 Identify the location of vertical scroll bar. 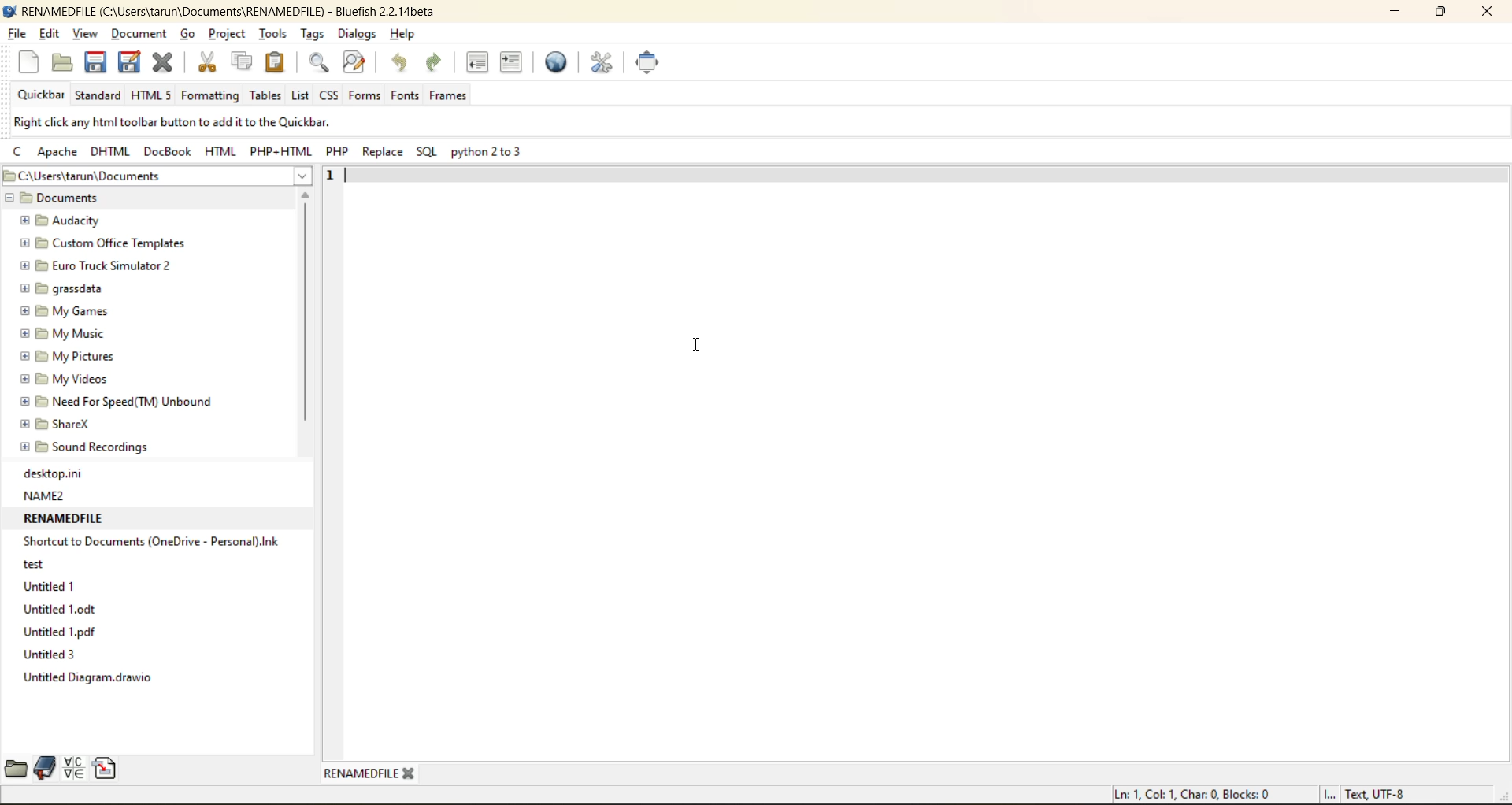
(306, 307).